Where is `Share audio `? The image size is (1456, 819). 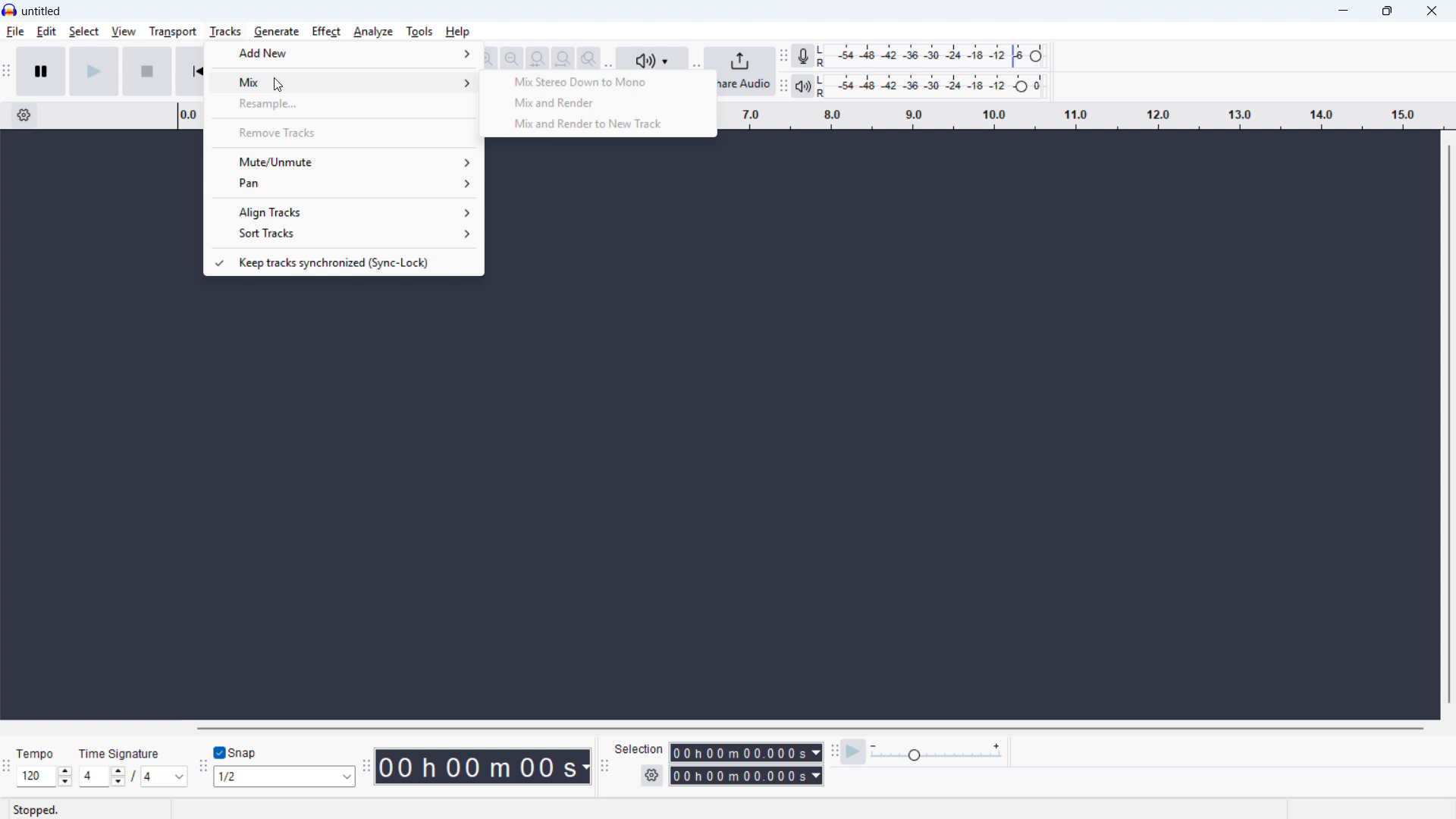
Share audio  is located at coordinates (745, 71).